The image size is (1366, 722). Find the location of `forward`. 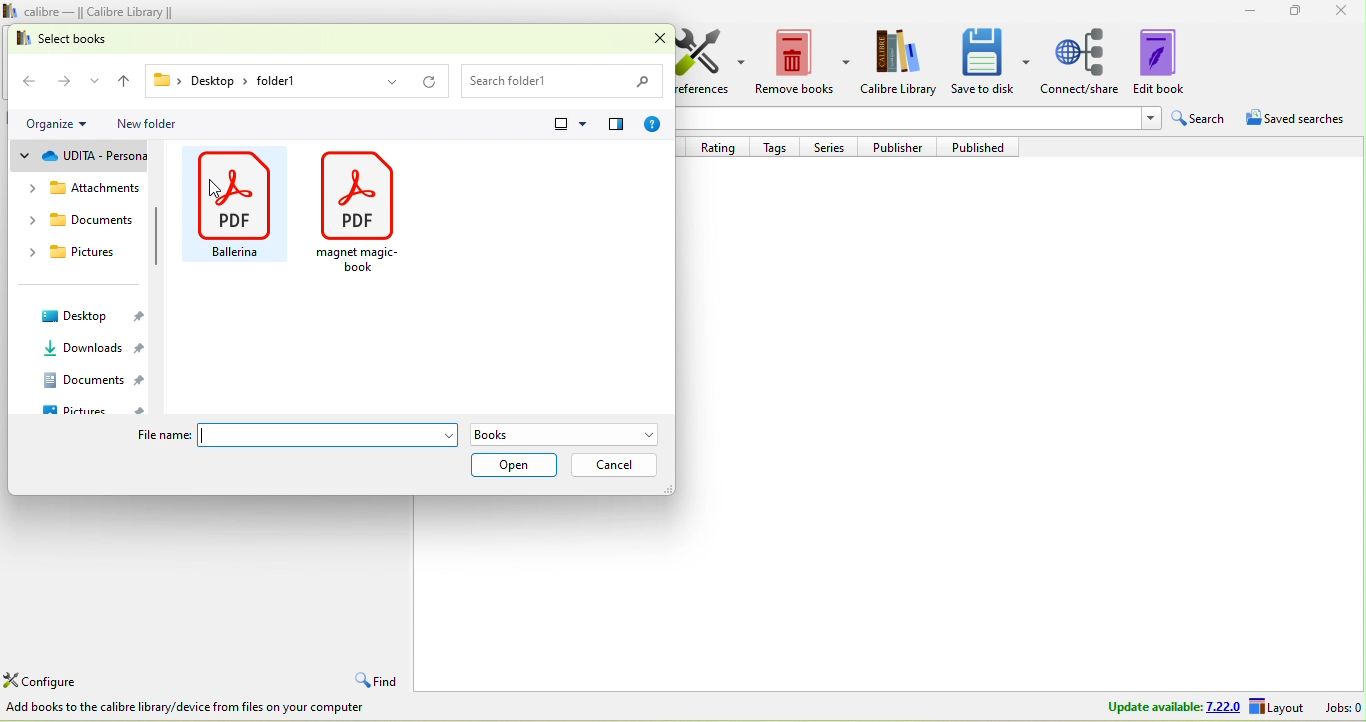

forward is located at coordinates (79, 79).